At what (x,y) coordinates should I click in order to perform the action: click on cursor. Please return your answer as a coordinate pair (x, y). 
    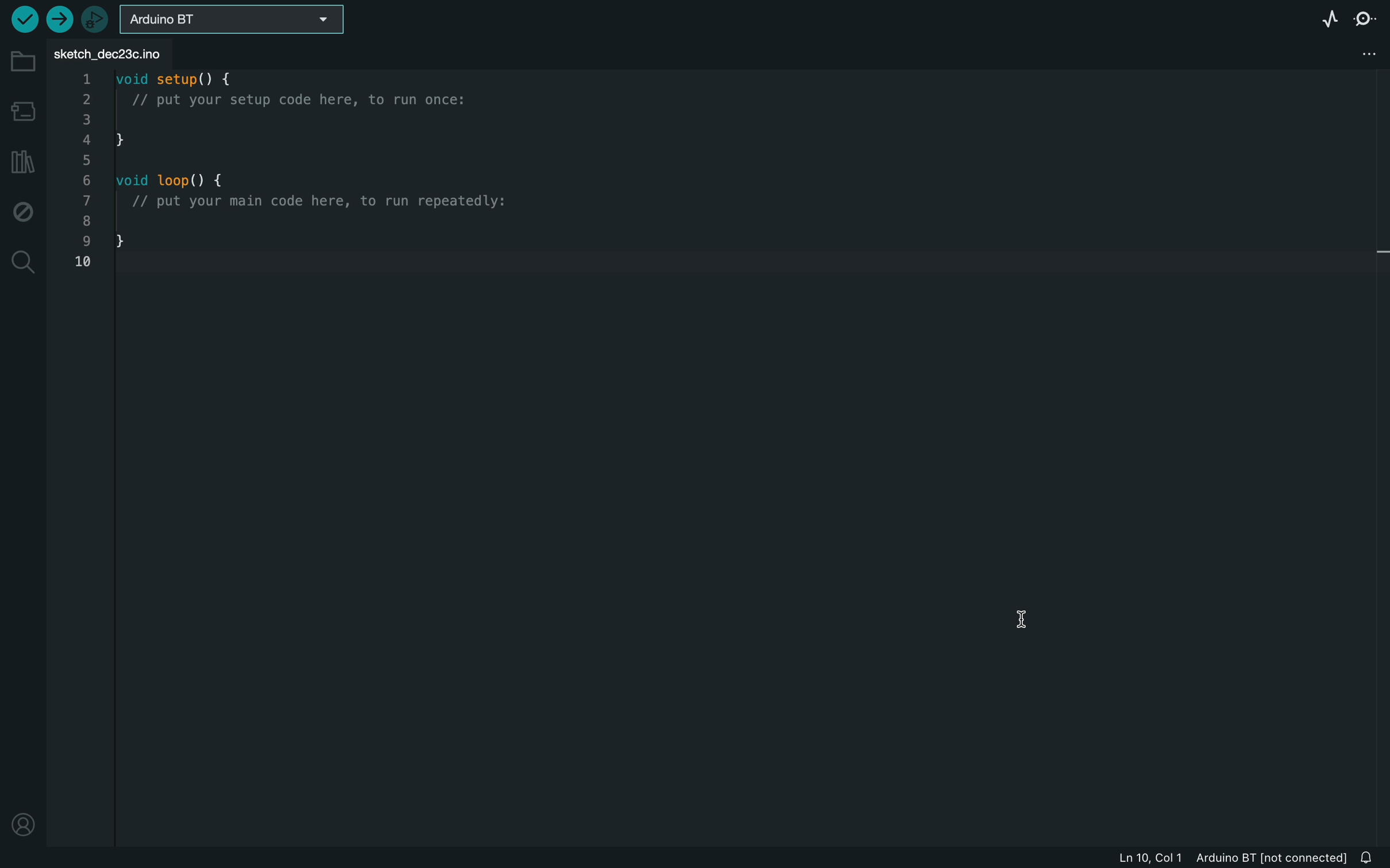
    Looking at the image, I should click on (1035, 620).